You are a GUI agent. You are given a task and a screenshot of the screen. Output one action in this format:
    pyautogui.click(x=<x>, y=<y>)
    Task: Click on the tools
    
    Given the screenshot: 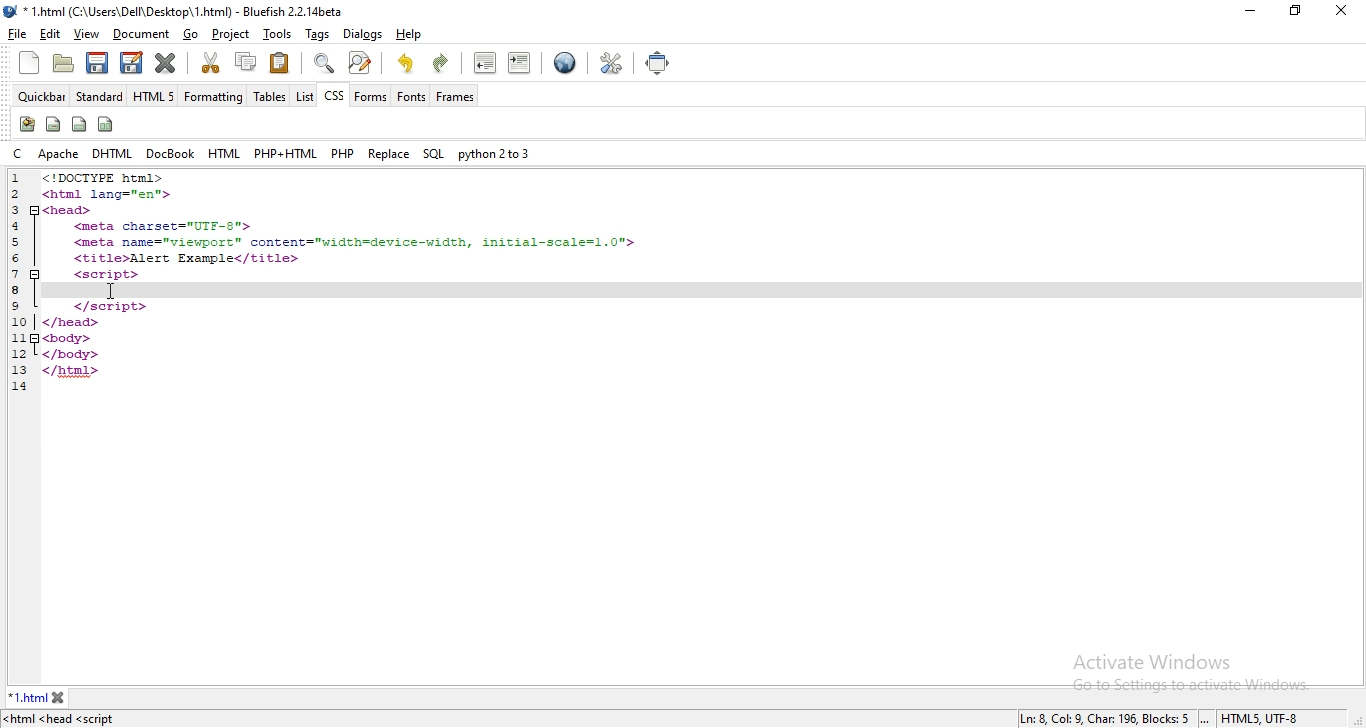 What is the action you would take?
    pyautogui.click(x=610, y=63)
    